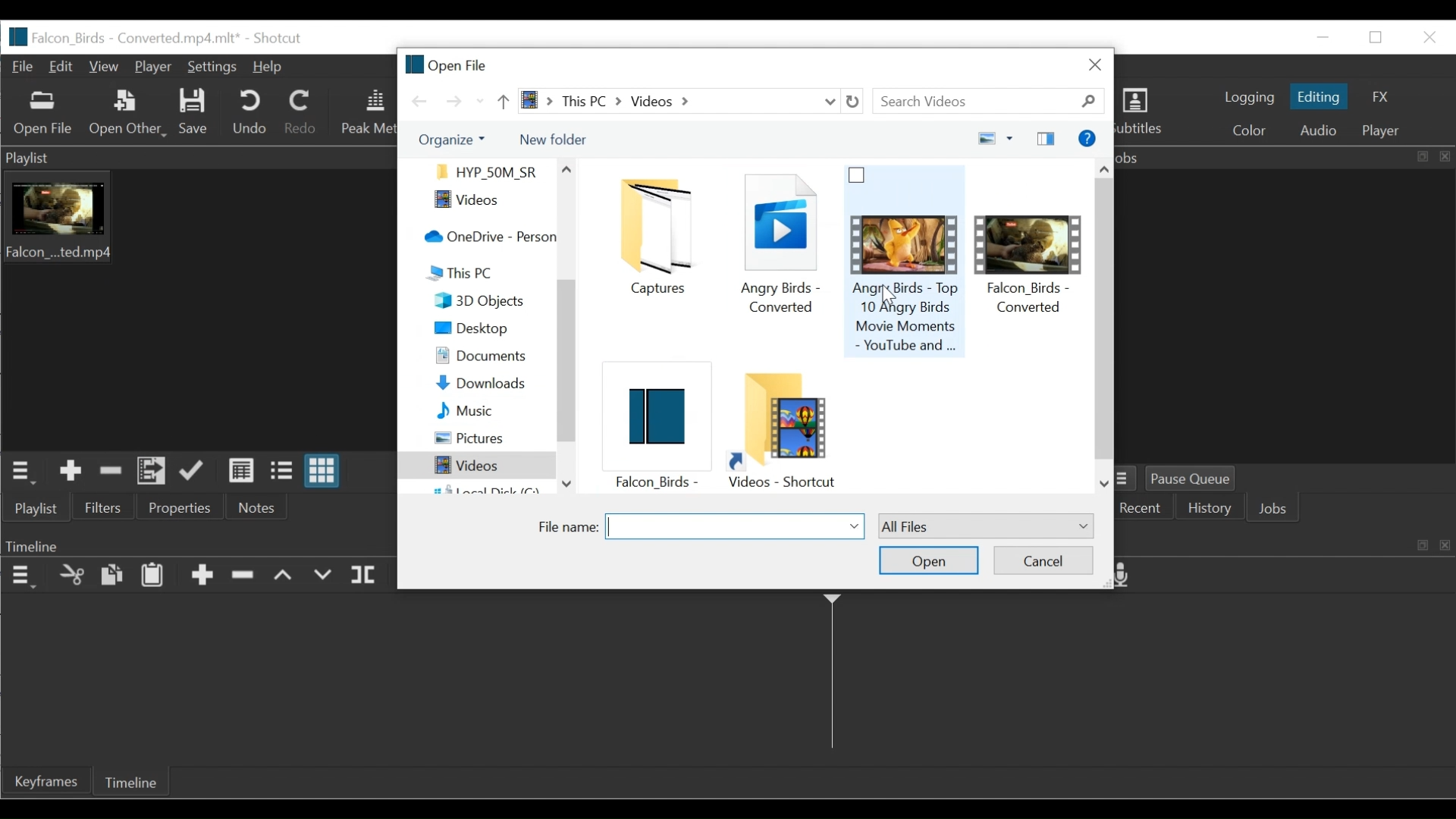  I want to click on Cursor, so click(160, 474).